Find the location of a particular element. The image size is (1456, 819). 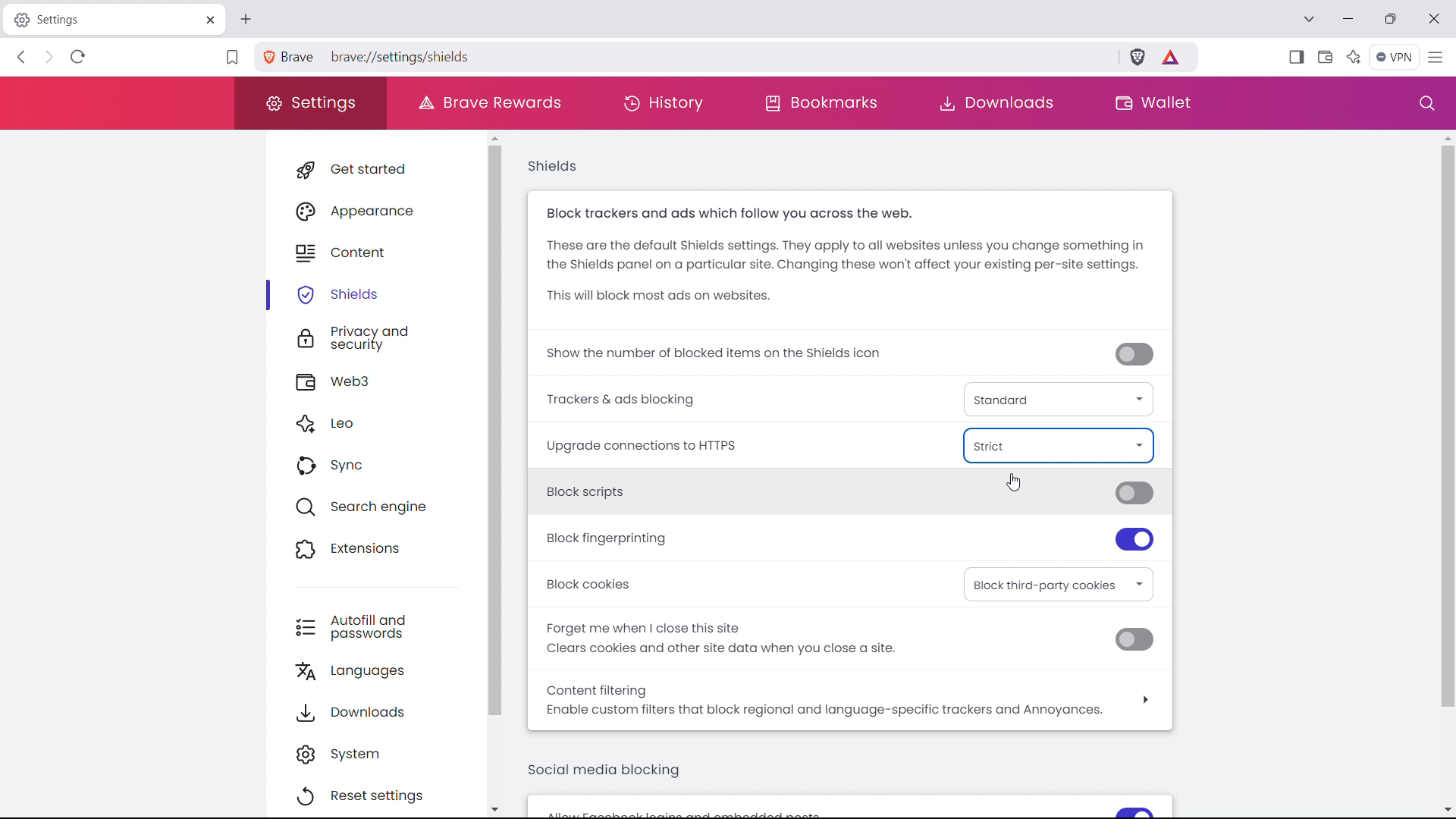

toggle off is located at coordinates (1134, 640).